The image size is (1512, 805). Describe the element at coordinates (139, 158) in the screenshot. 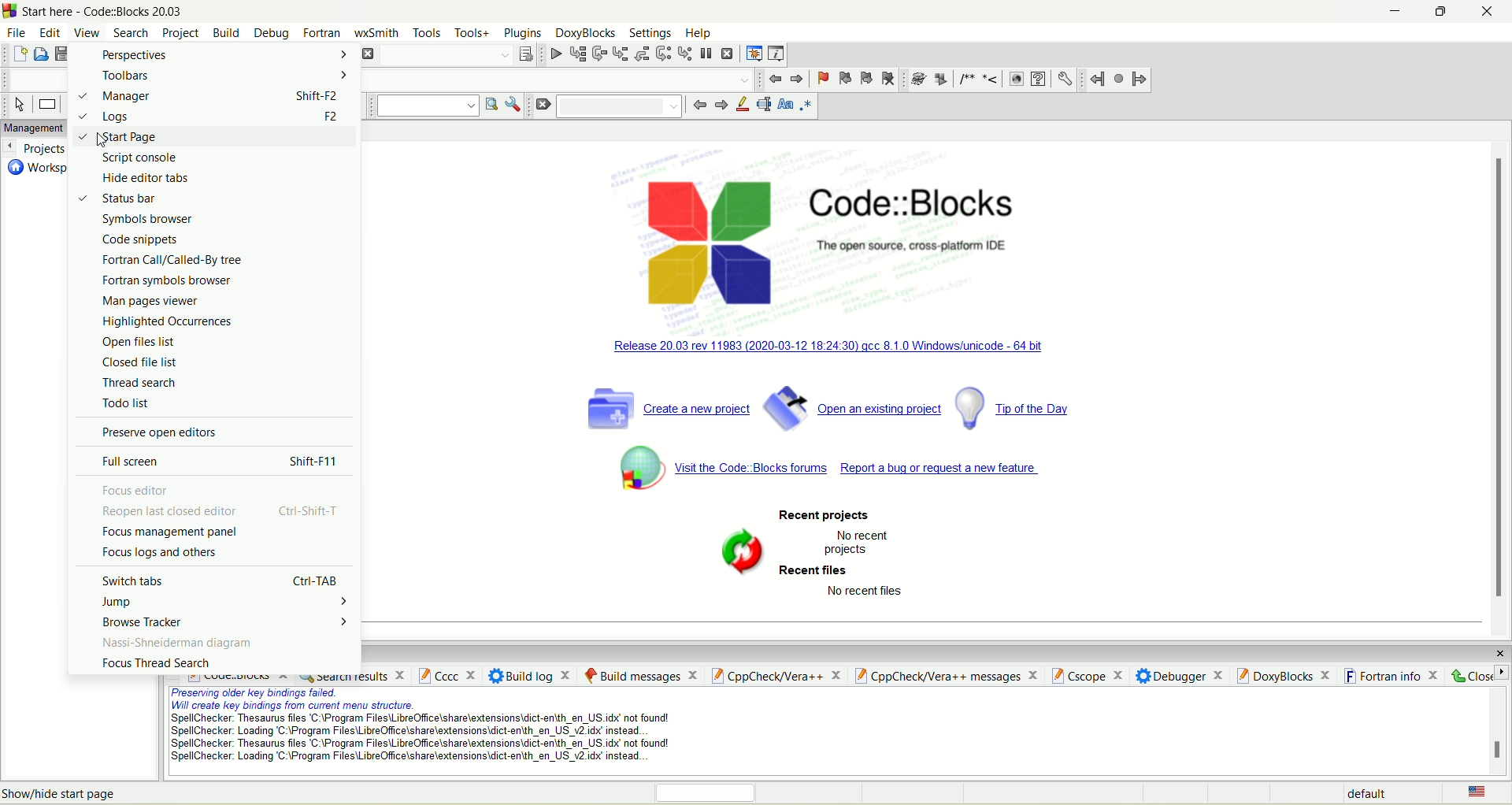

I see `script console` at that location.